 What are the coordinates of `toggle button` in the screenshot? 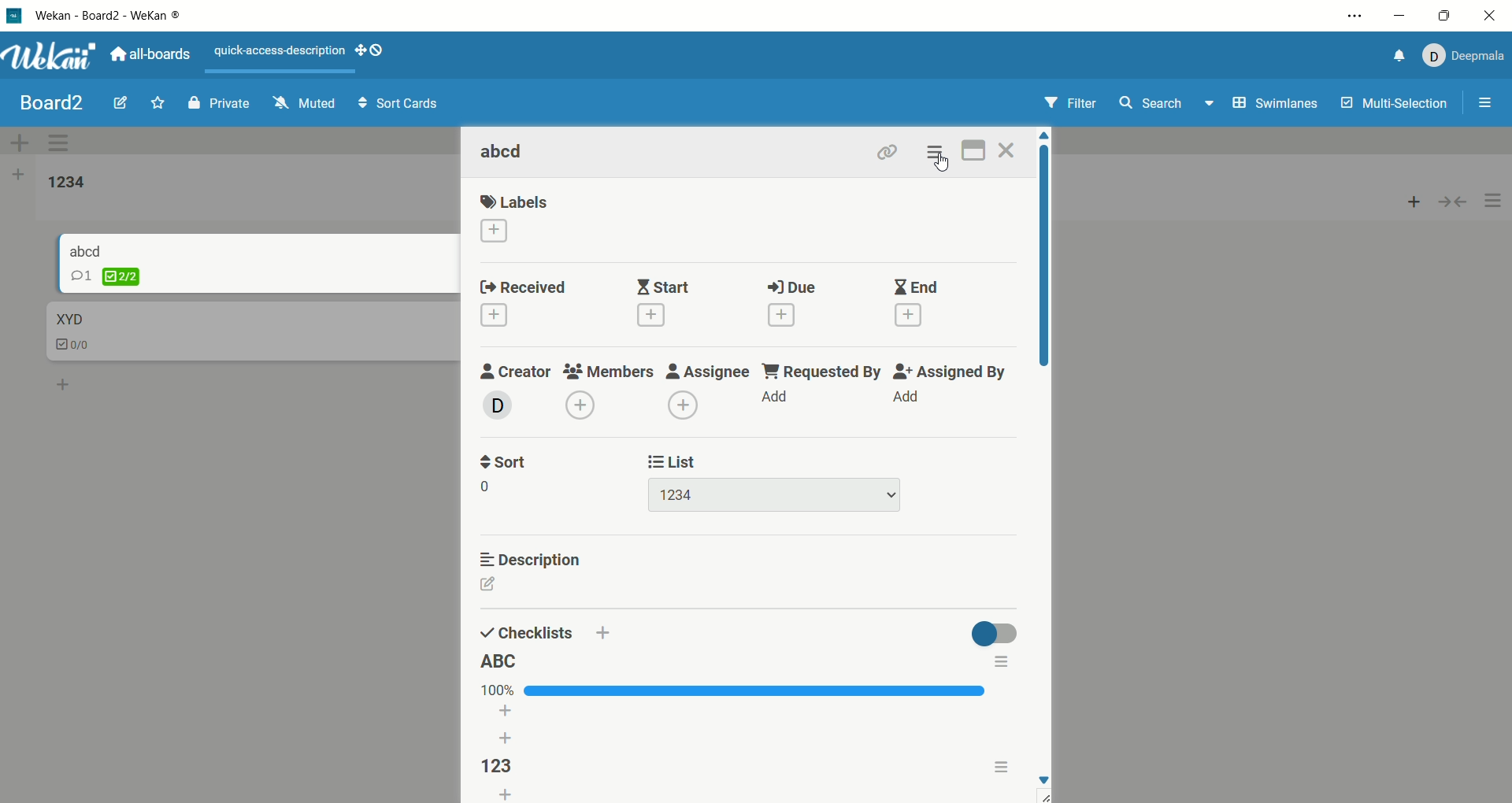 It's located at (994, 631).